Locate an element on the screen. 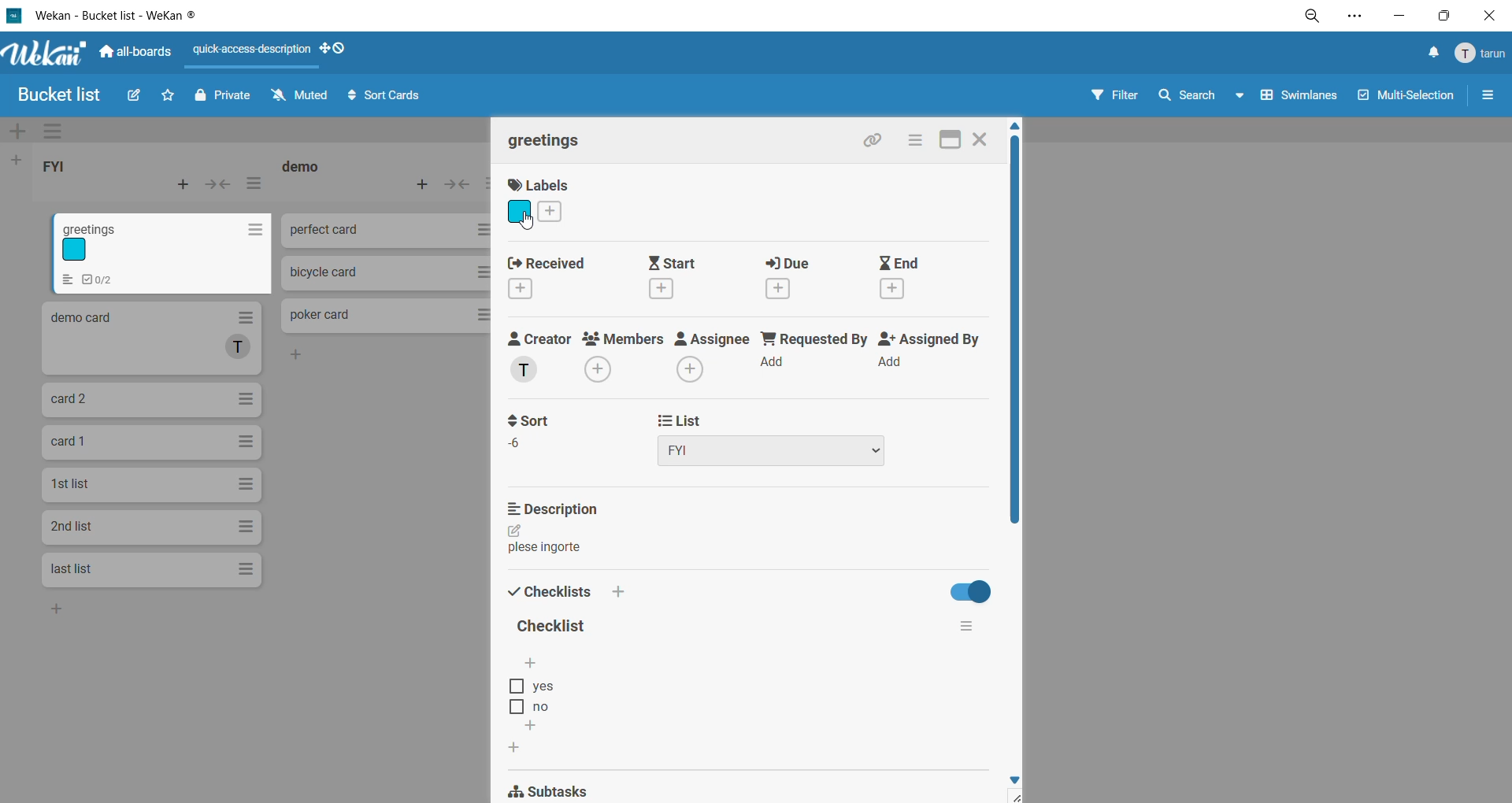 Image resolution: width=1512 pixels, height=803 pixels. sidebar is located at coordinates (1489, 96).